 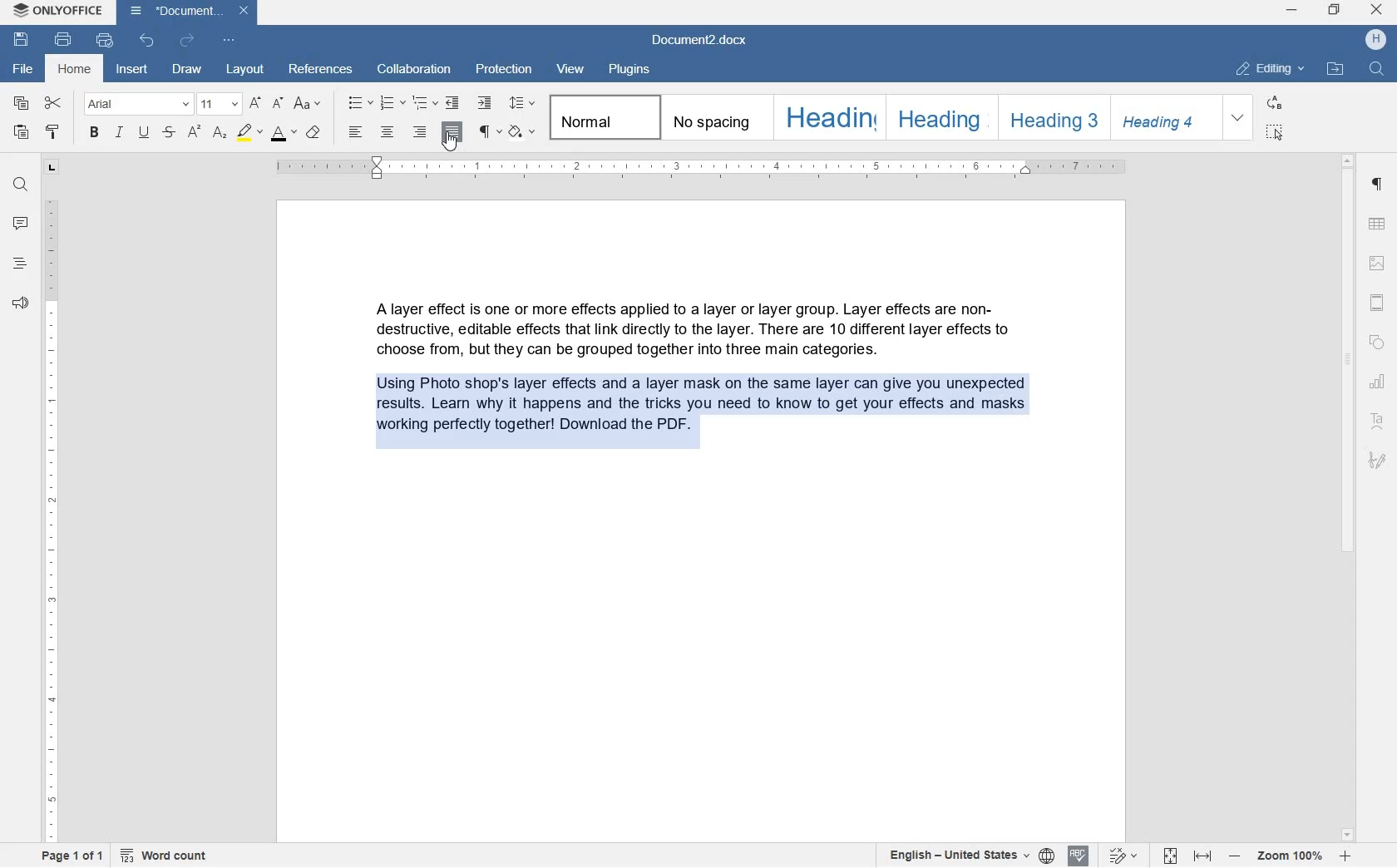 What do you see at coordinates (219, 133) in the screenshot?
I see `SUBSCRIPT` at bounding box center [219, 133].